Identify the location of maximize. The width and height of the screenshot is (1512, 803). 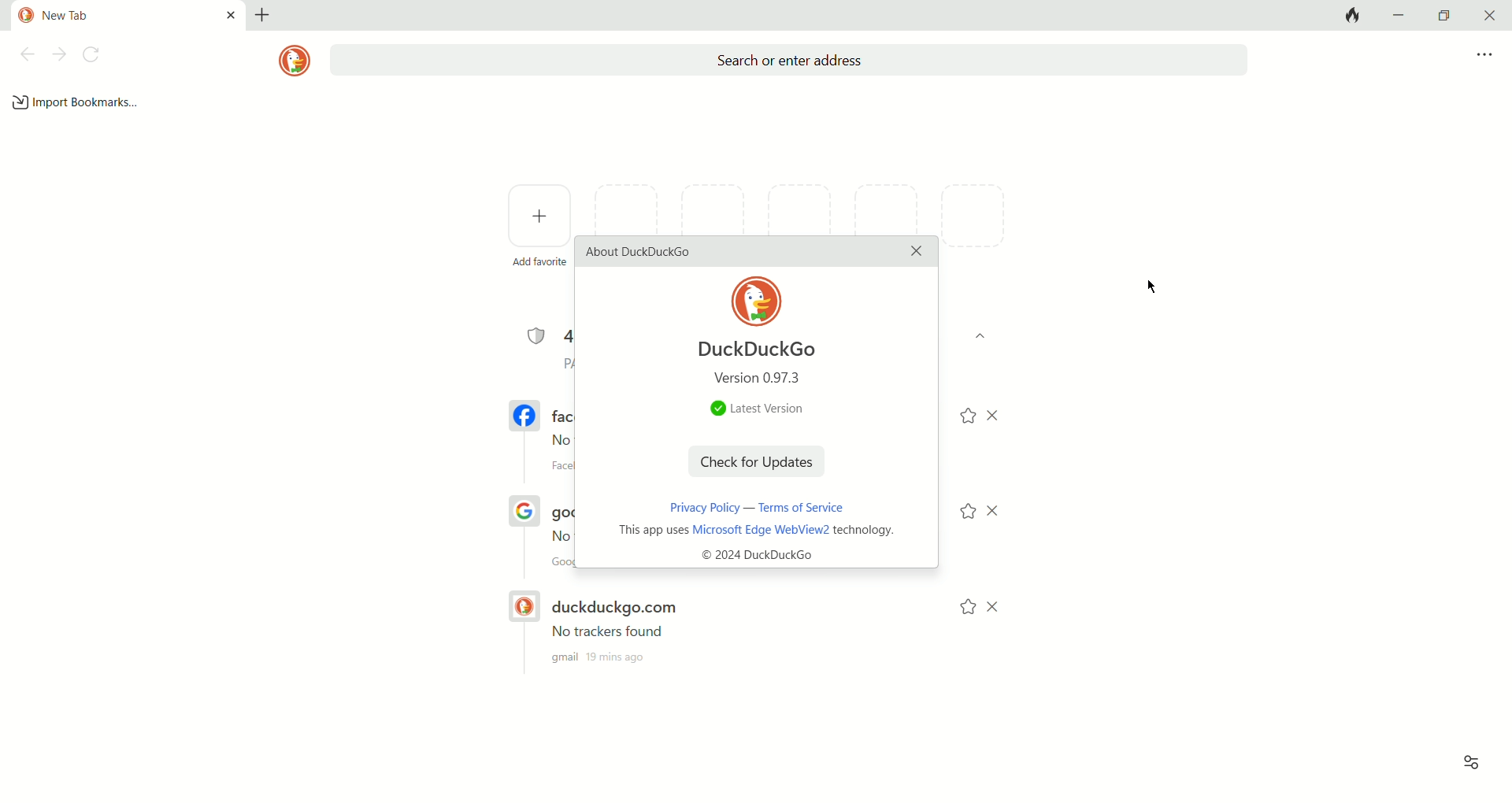
(1442, 16).